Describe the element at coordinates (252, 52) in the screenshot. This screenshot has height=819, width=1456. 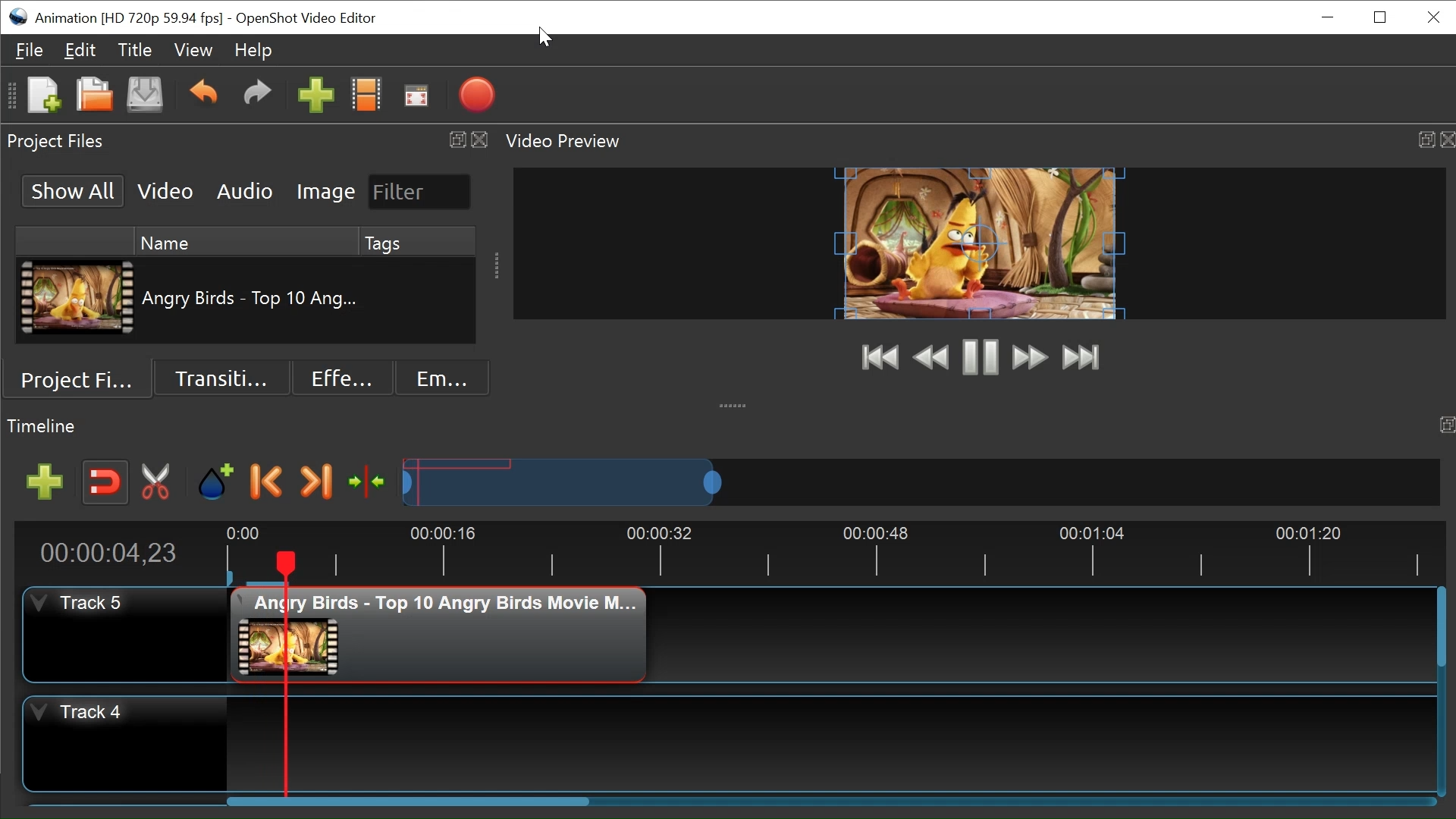
I see `Help` at that location.